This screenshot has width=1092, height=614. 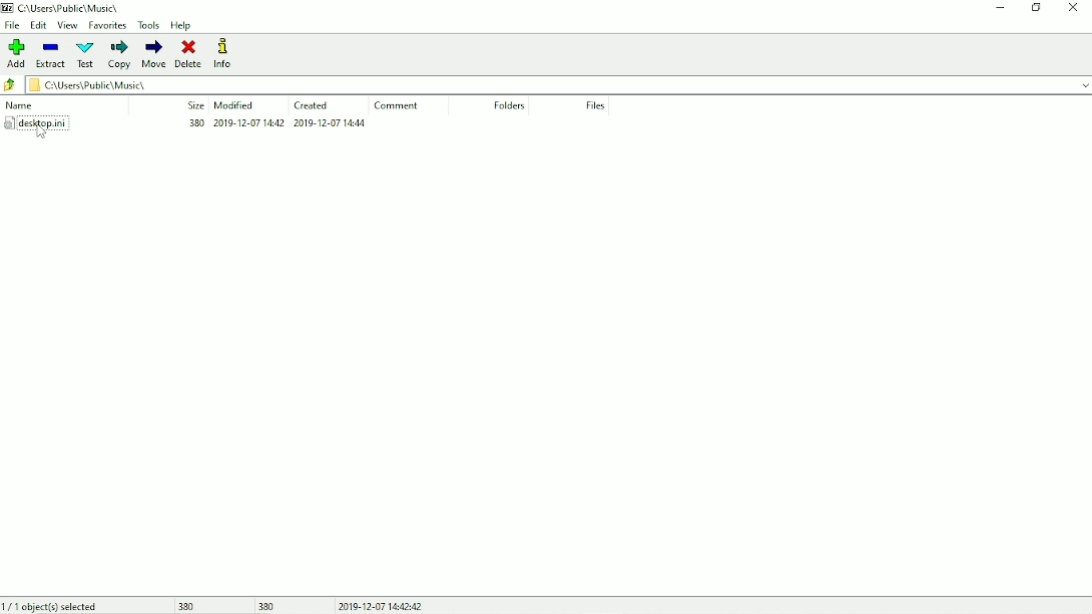 What do you see at coordinates (16, 53) in the screenshot?
I see `Add` at bounding box center [16, 53].